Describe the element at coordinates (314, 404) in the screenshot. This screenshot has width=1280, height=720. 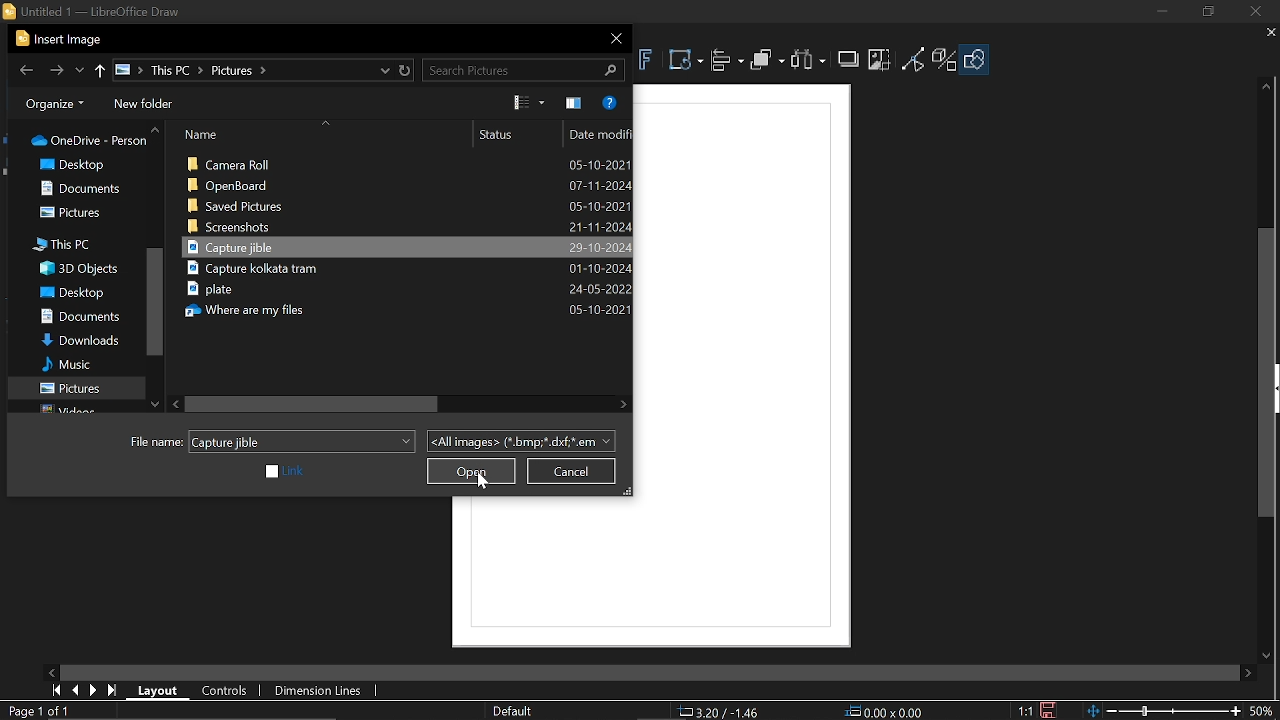
I see `Horizontal scrollbar` at that location.